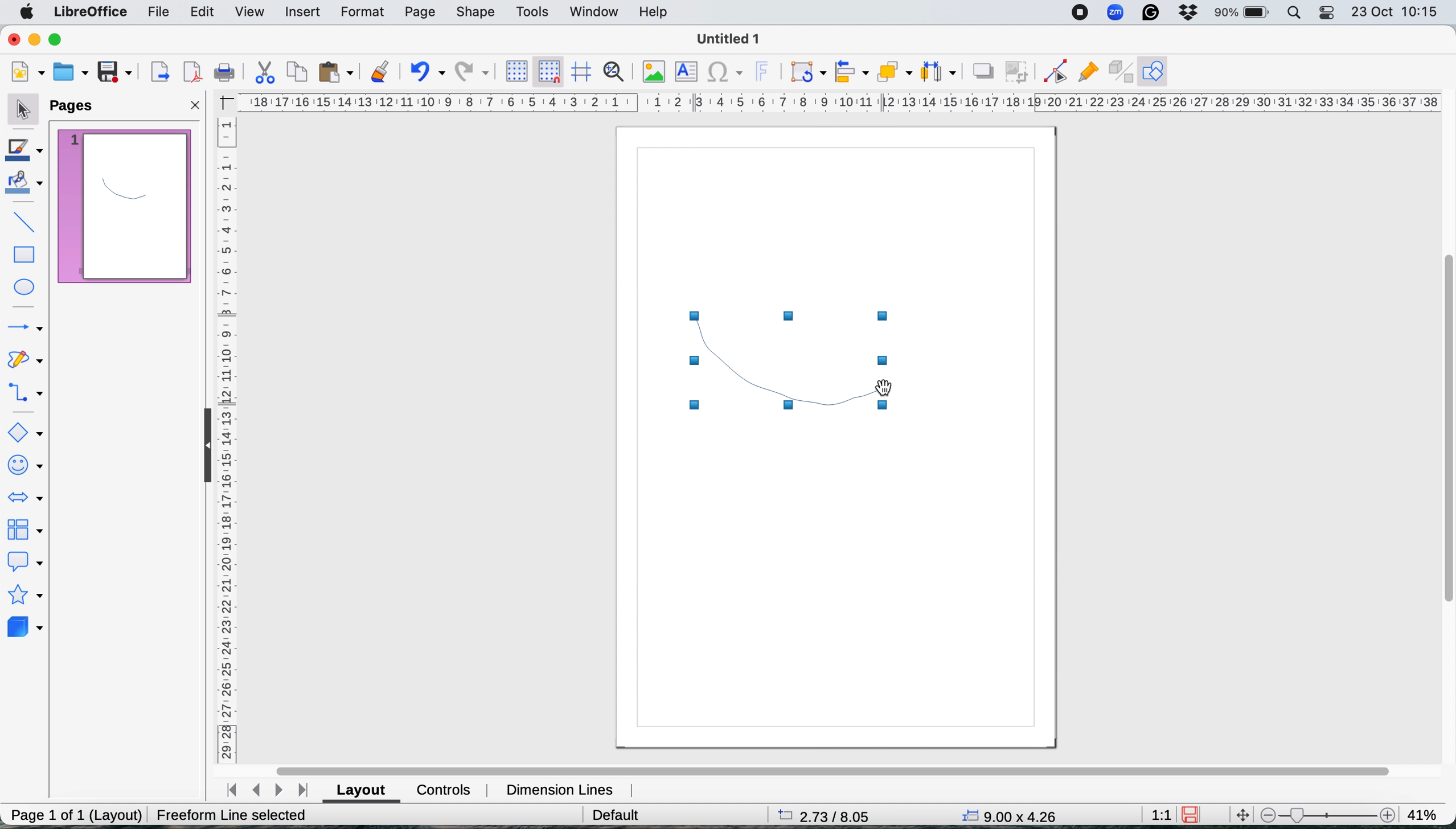  What do you see at coordinates (27, 393) in the screenshot?
I see `connectors` at bounding box center [27, 393].